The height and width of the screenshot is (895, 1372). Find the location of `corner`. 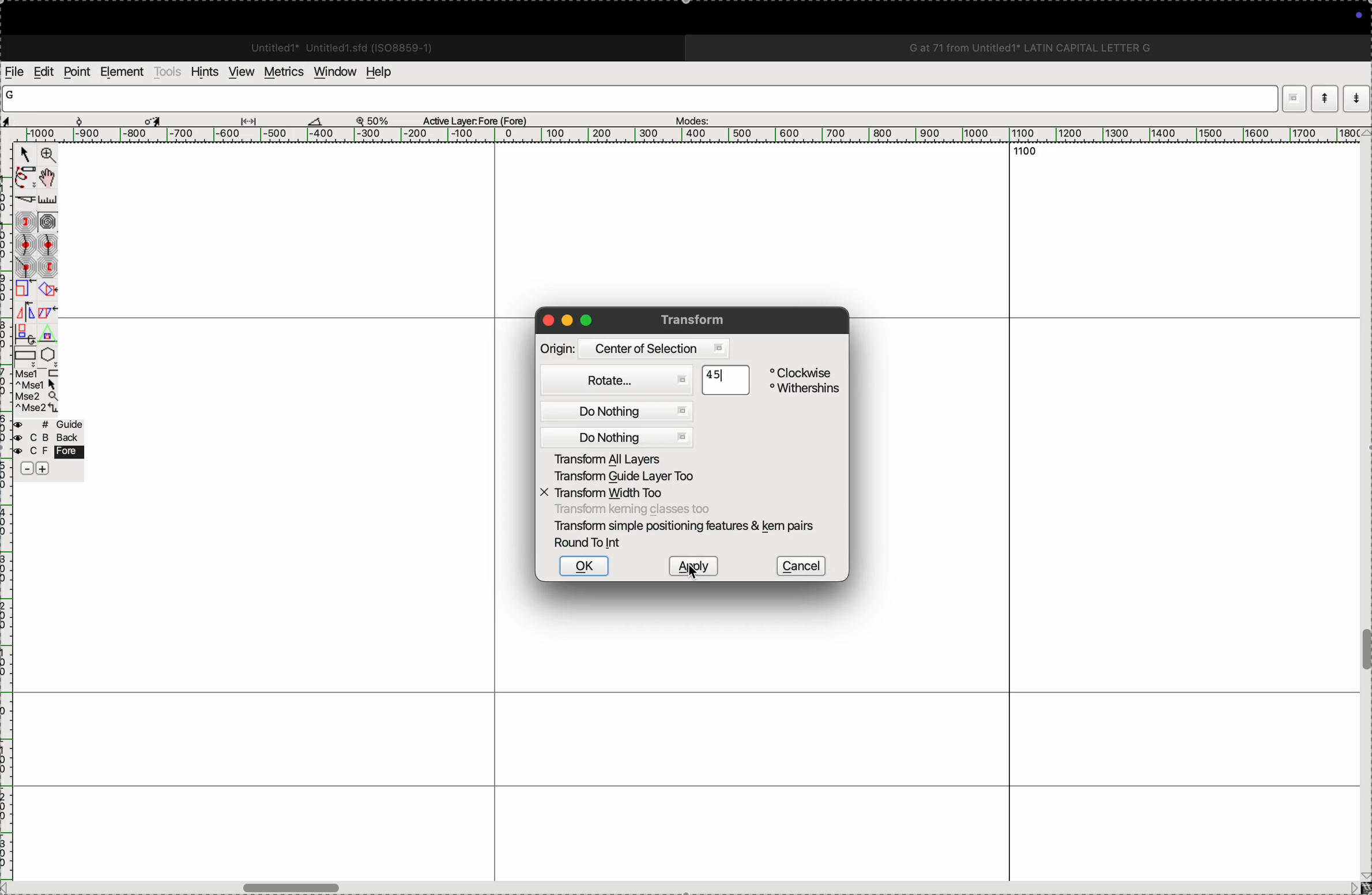

corner is located at coordinates (27, 266).